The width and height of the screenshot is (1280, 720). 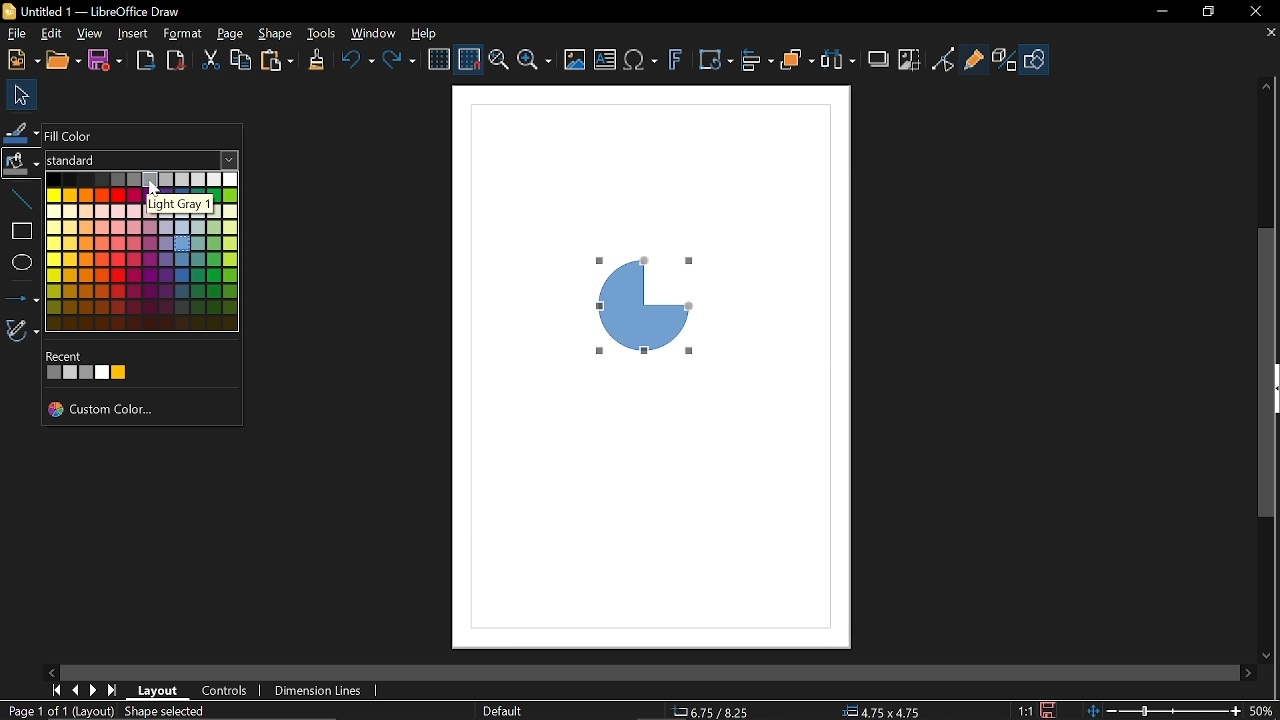 I want to click on Default (Slide master name), so click(x=506, y=711).